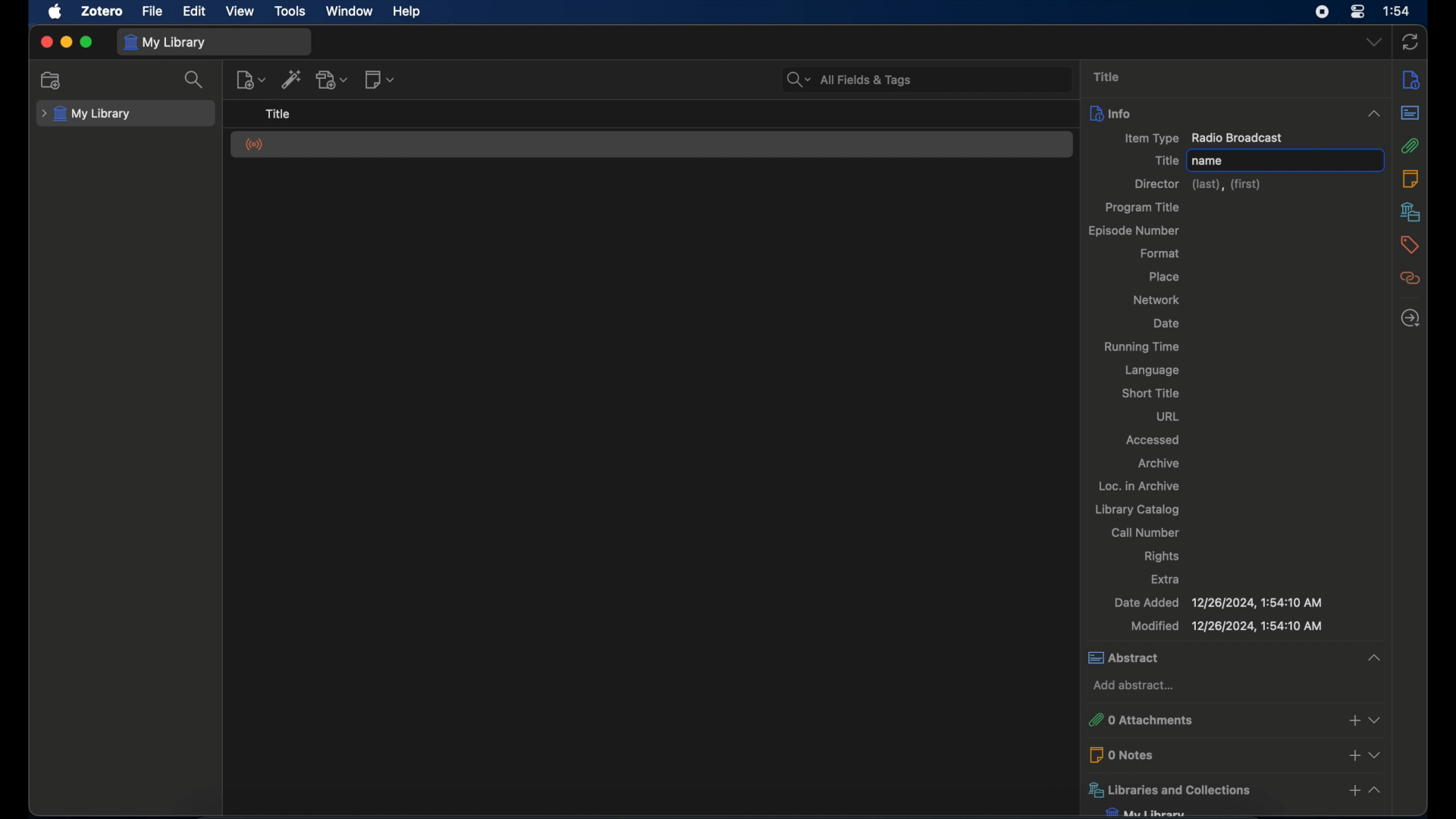 The width and height of the screenshot is (1456, 819). Describe the element at coordinates (1236, 657) in the screenshot. I see `abstract` at that location.